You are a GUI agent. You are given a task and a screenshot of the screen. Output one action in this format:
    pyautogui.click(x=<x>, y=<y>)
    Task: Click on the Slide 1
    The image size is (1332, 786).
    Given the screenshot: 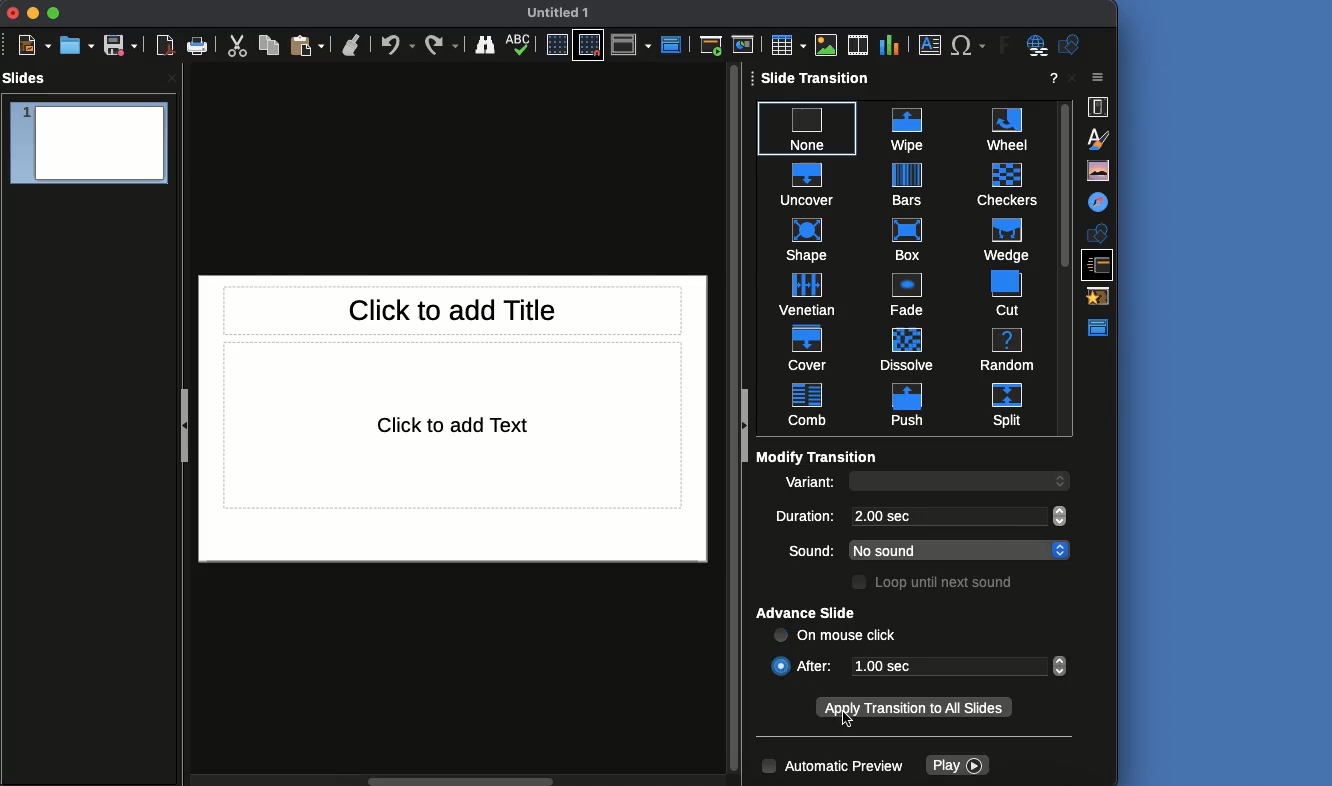 What is the action you would take?
    pyautogui.click(x=89, y=146)
    